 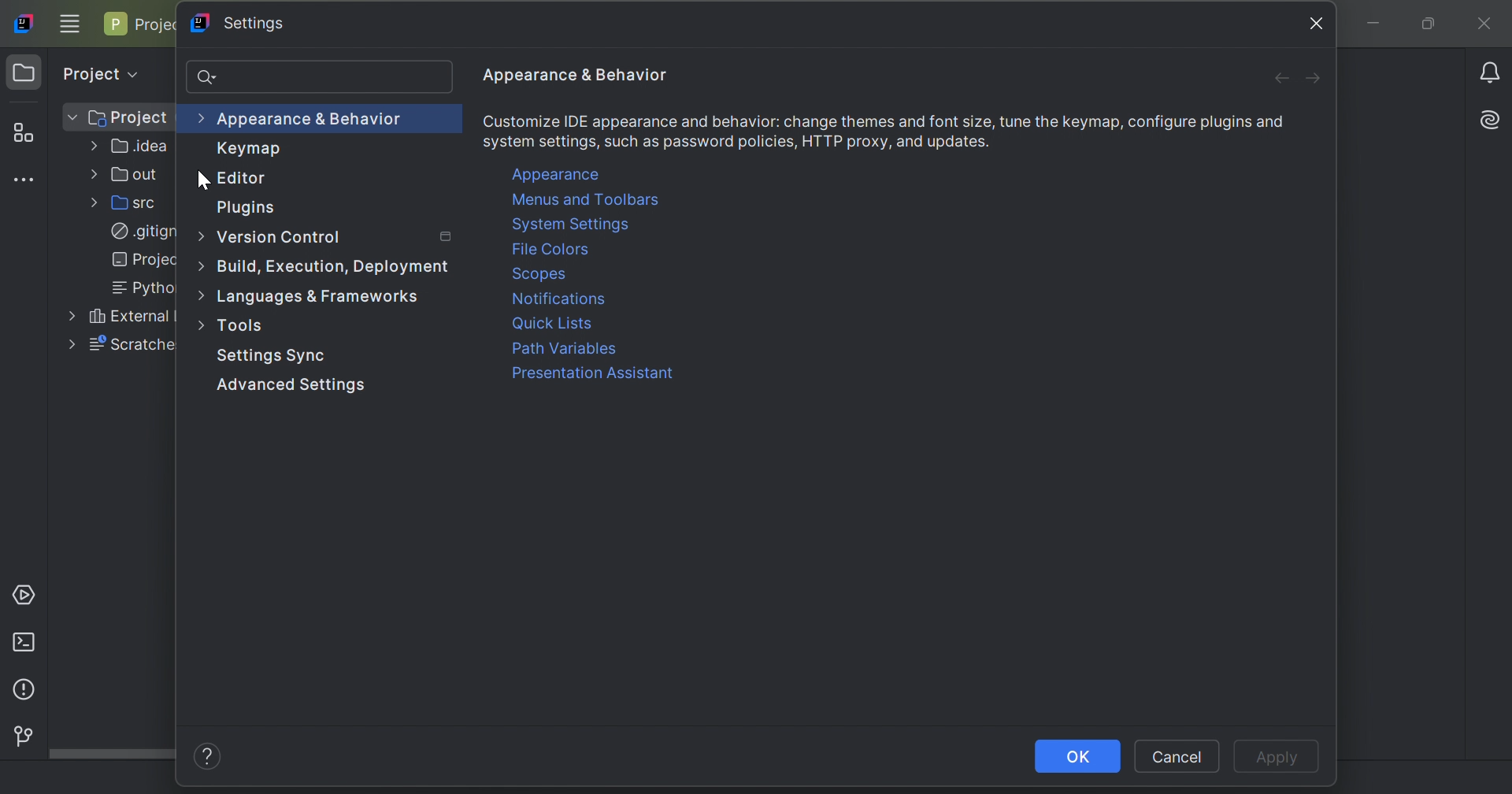 I want to click on projec, so click(x=139, y=259).